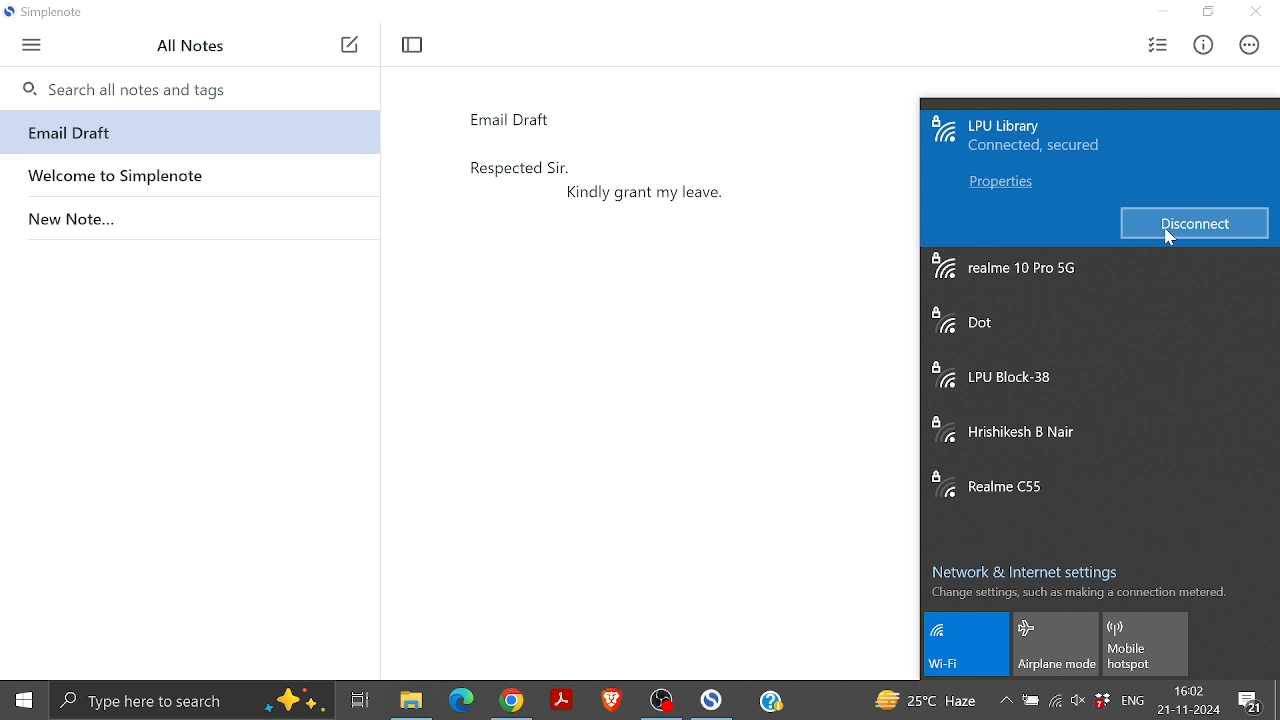 This screenshot has width=1280, height=720. Describe the element at coordinates (1056, 704) in the screenshot. I see `Network` at that location.